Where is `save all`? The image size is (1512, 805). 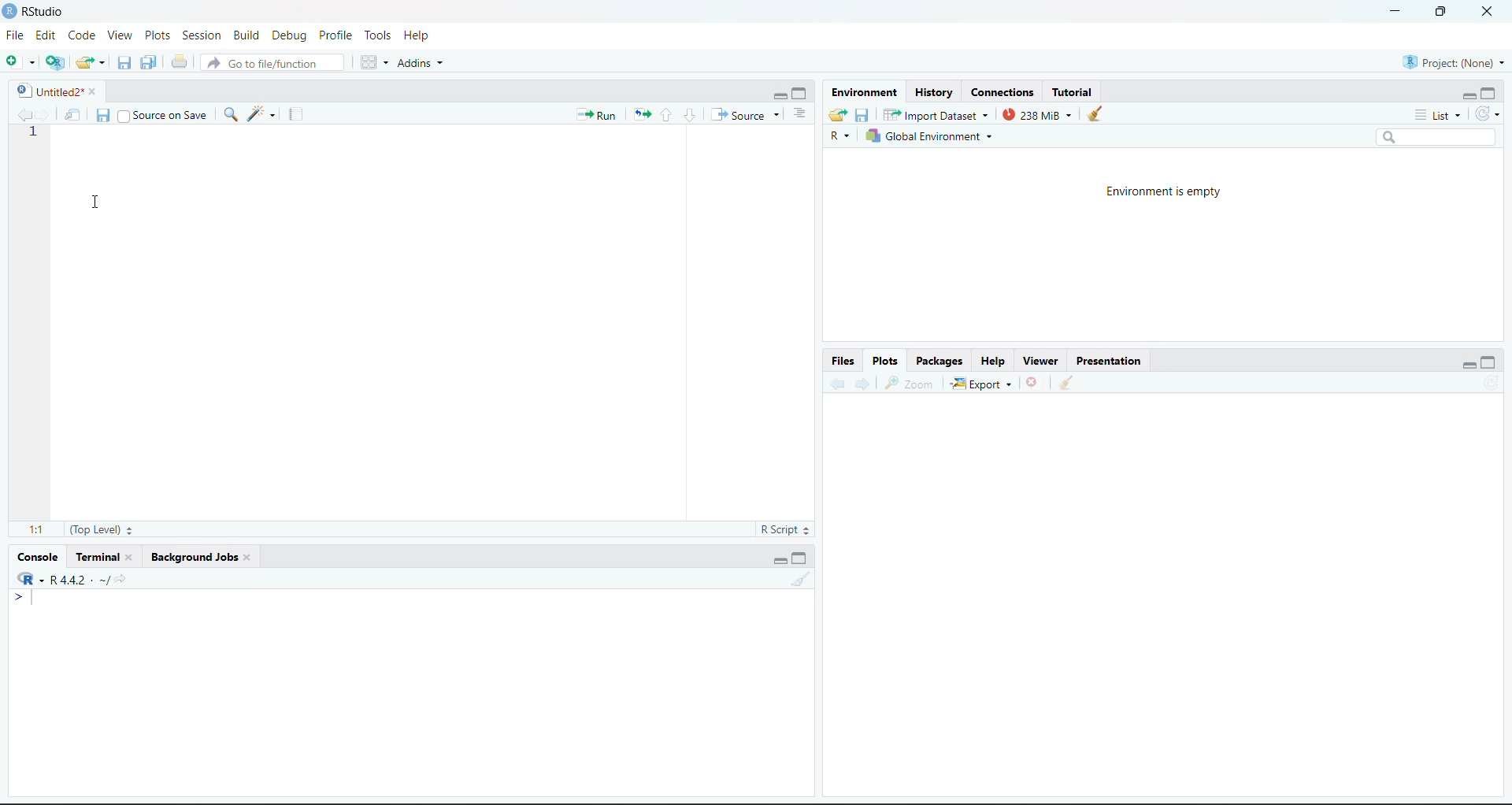 save all is located at coordinates (149, 62).